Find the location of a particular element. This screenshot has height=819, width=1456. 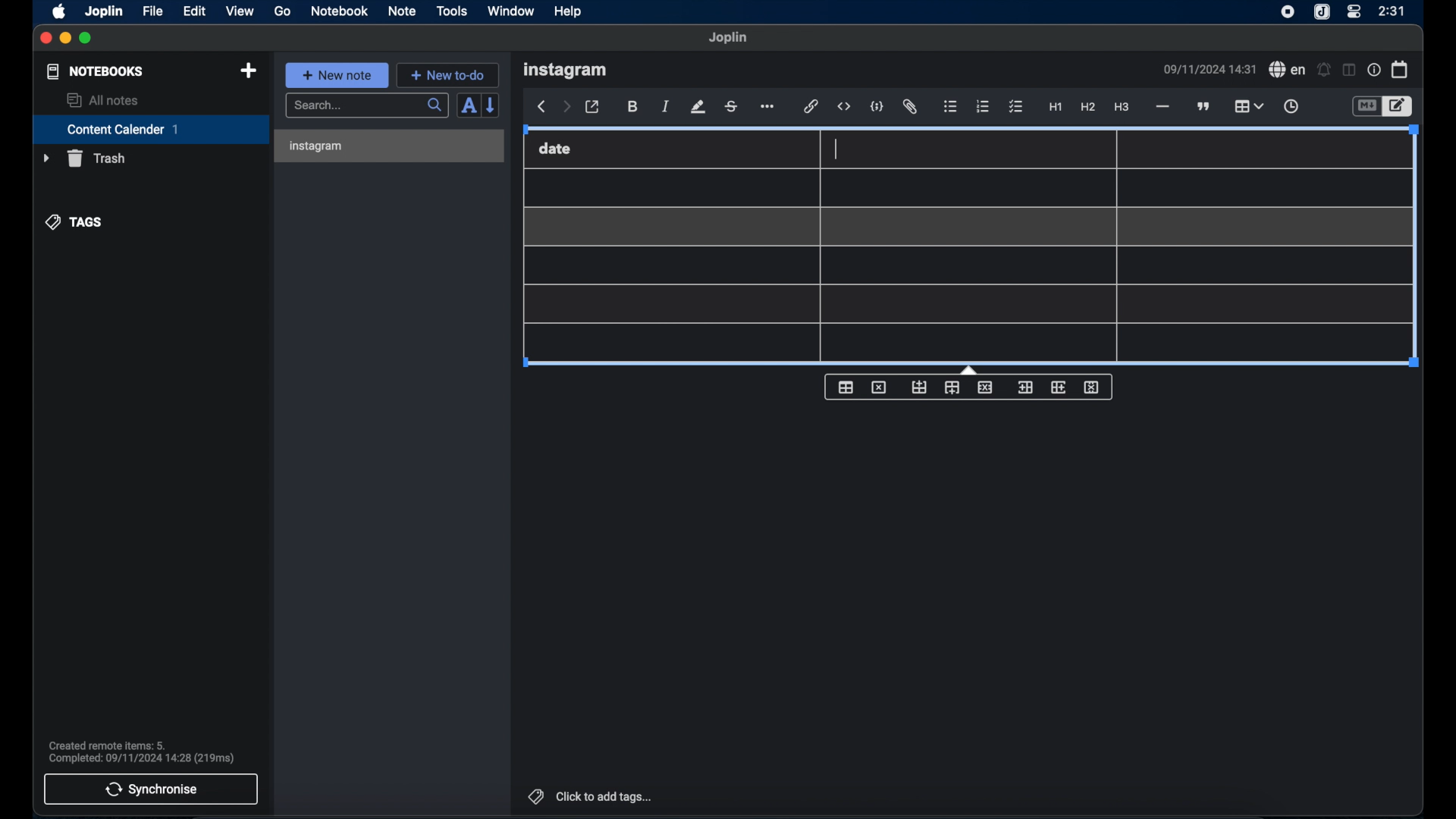

search bar is located at coordinates (368, 106).